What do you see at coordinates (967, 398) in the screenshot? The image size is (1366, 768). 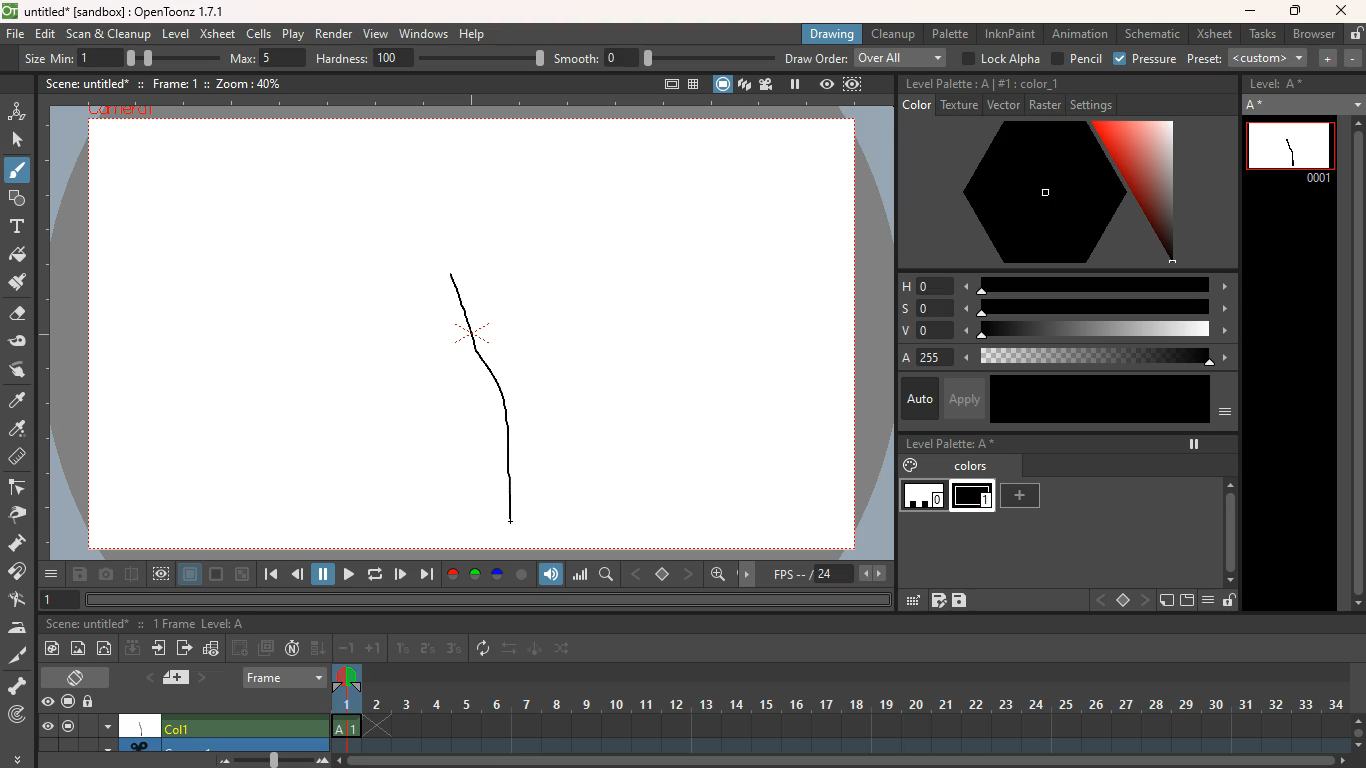 I see `apply` at bounding box center [967, 398].